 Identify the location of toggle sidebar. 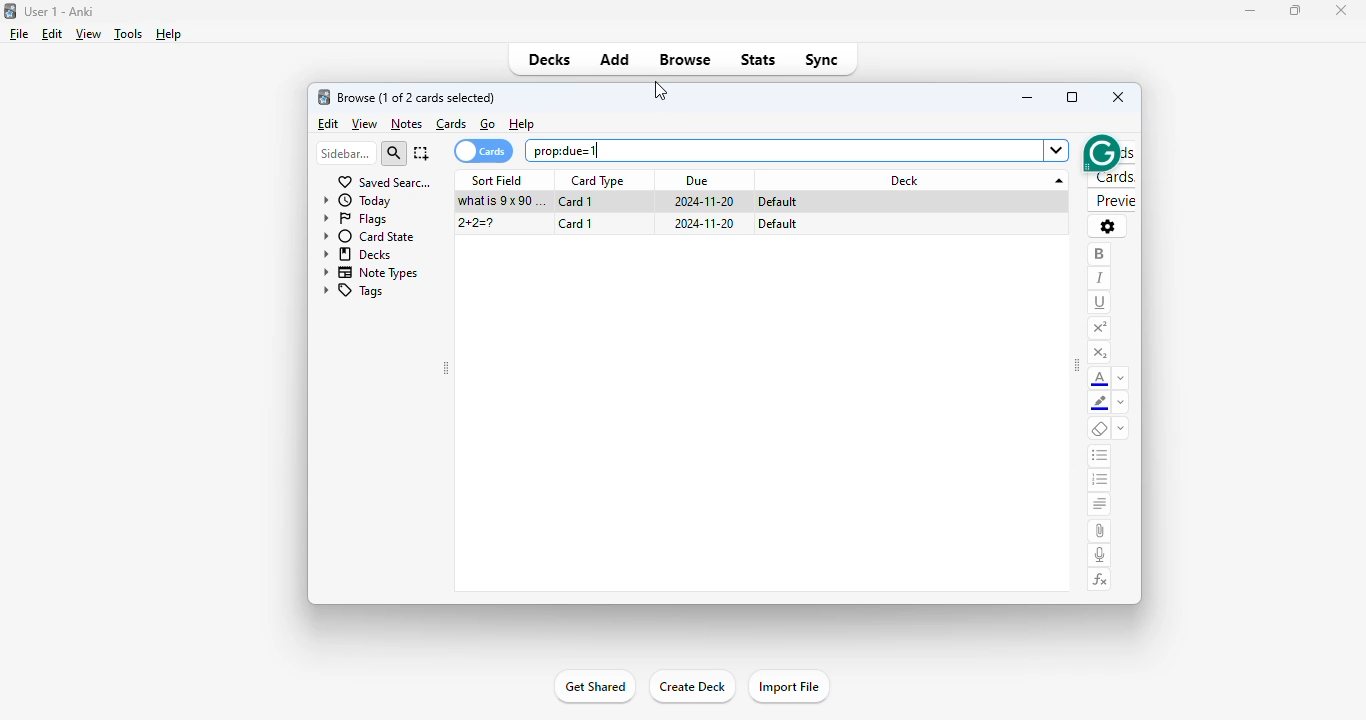
(447, 368).